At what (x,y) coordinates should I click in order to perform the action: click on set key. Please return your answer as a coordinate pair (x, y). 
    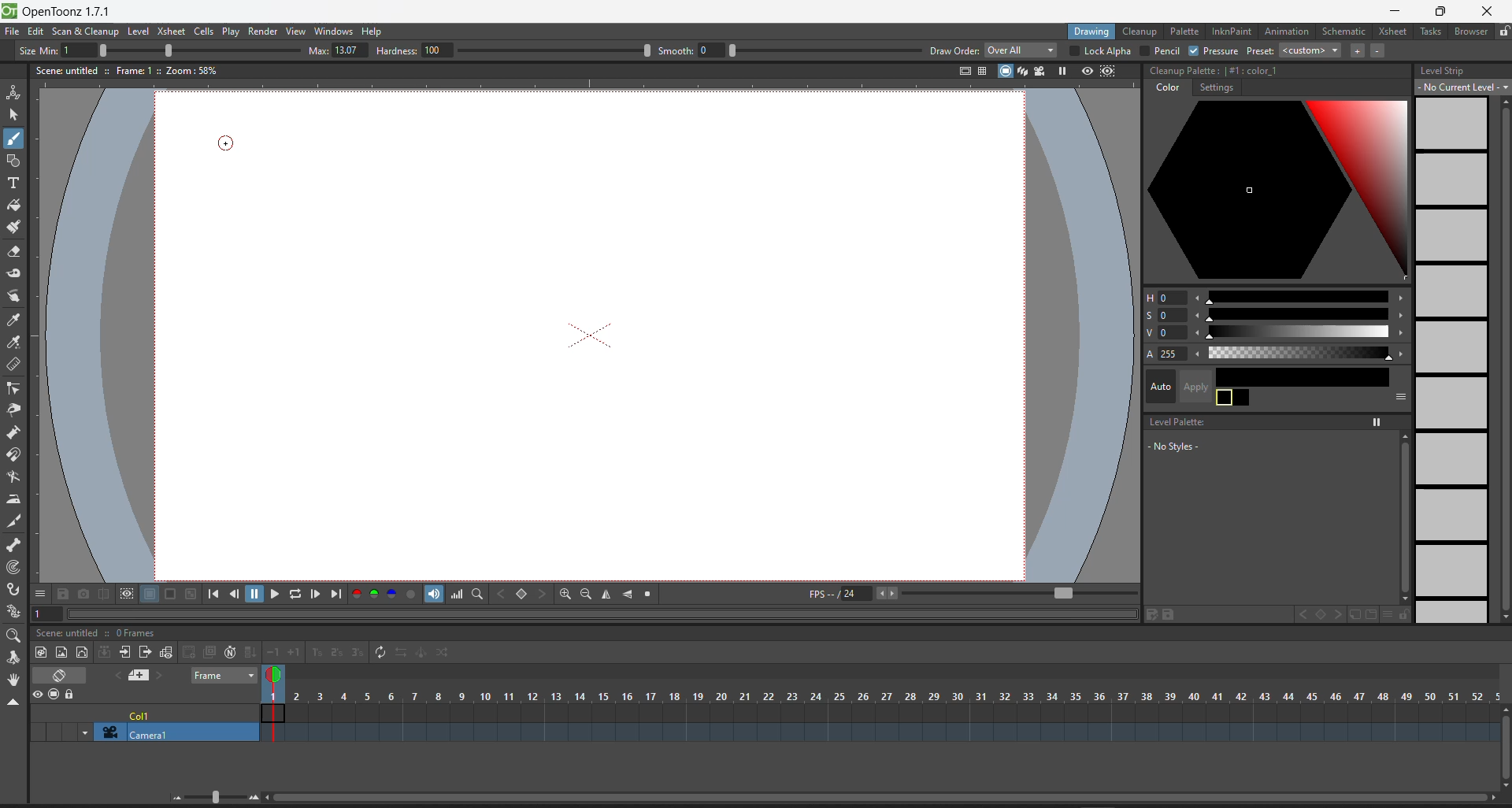
    Looking at the image, I should click on (1317, 614).